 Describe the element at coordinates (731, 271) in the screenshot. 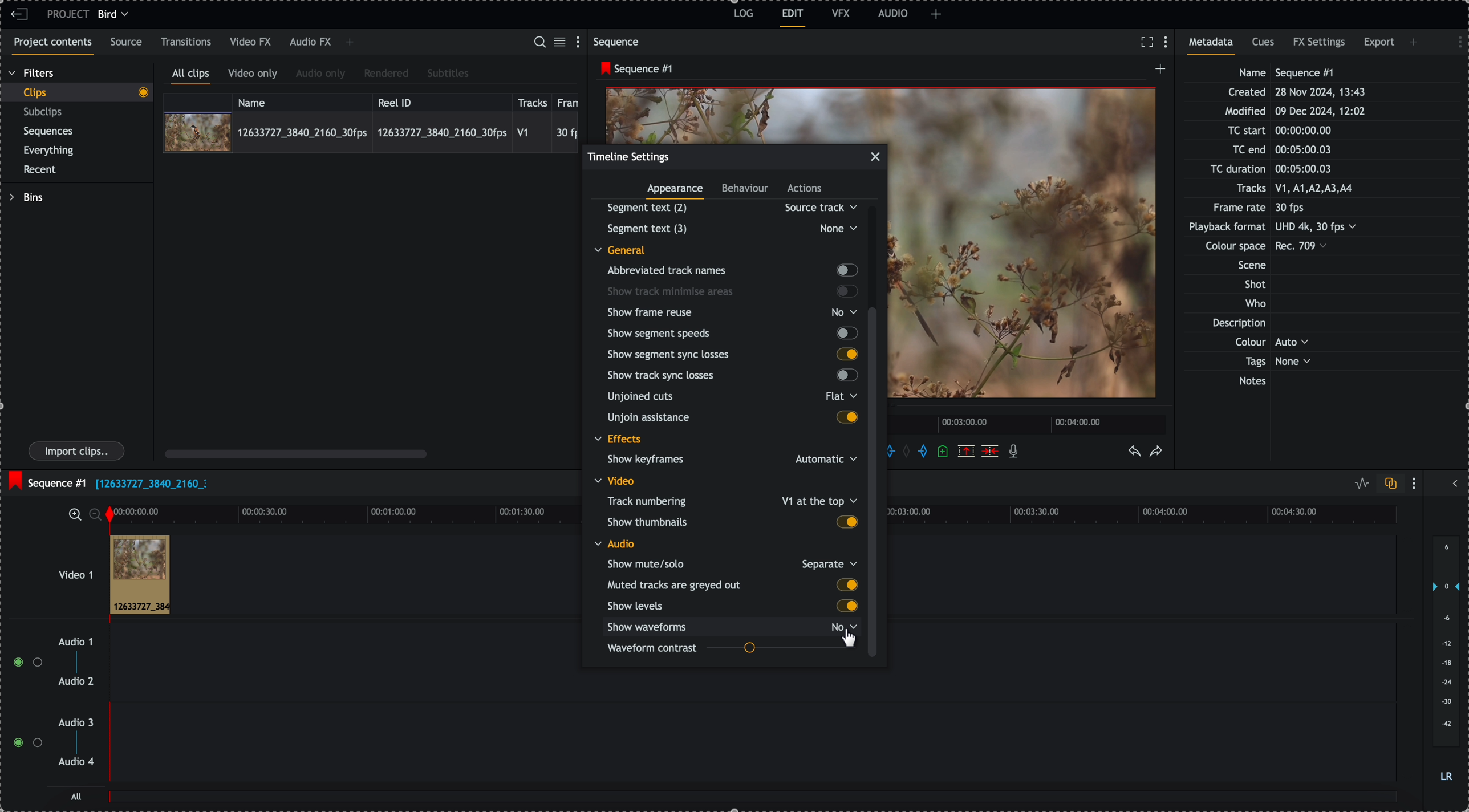

I see `abbreviated track names` at that location.